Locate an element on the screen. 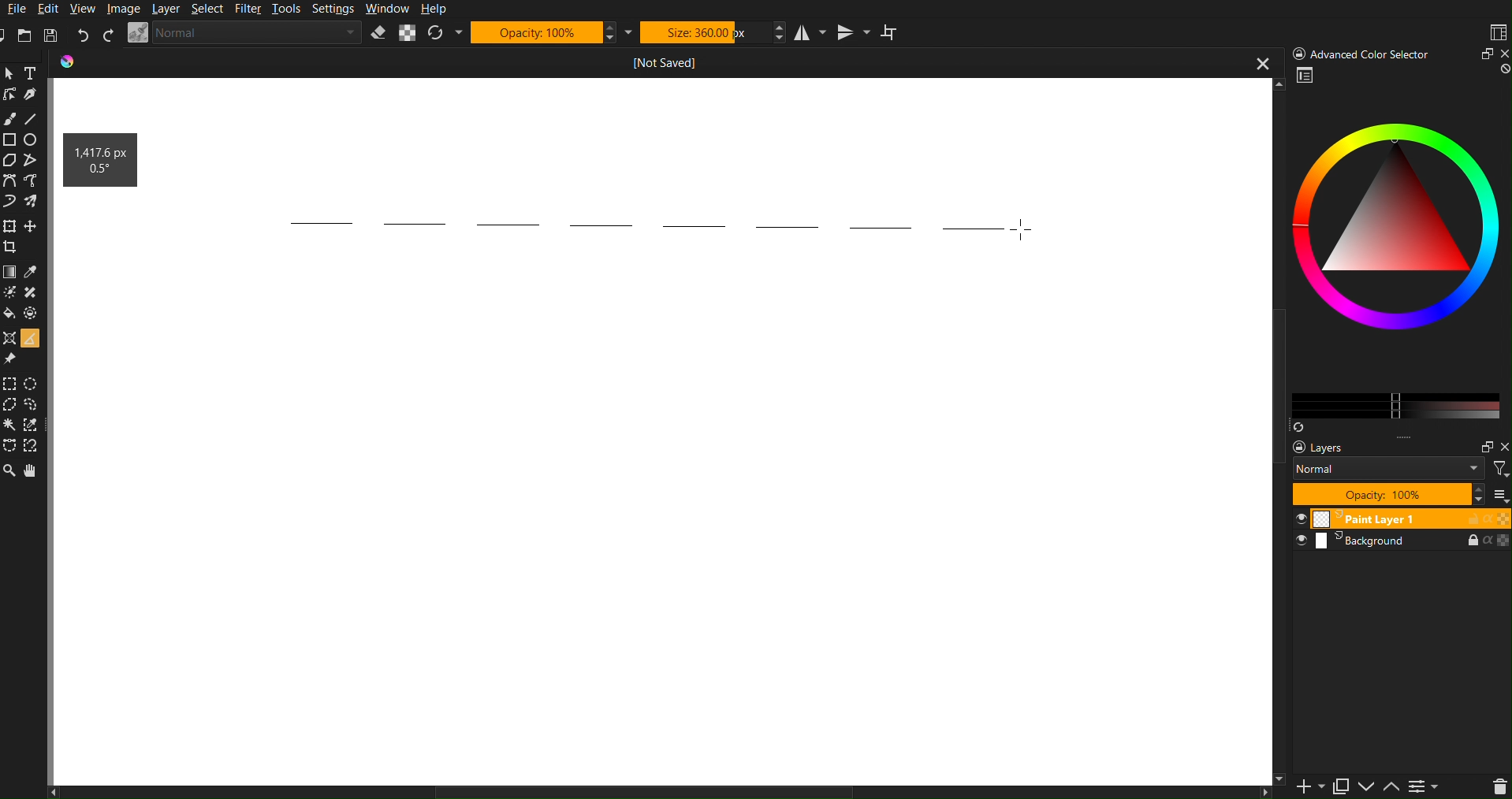 The width and height of the screenshot is (1512, 799). Cursor is located at coordinates (1018, 228).